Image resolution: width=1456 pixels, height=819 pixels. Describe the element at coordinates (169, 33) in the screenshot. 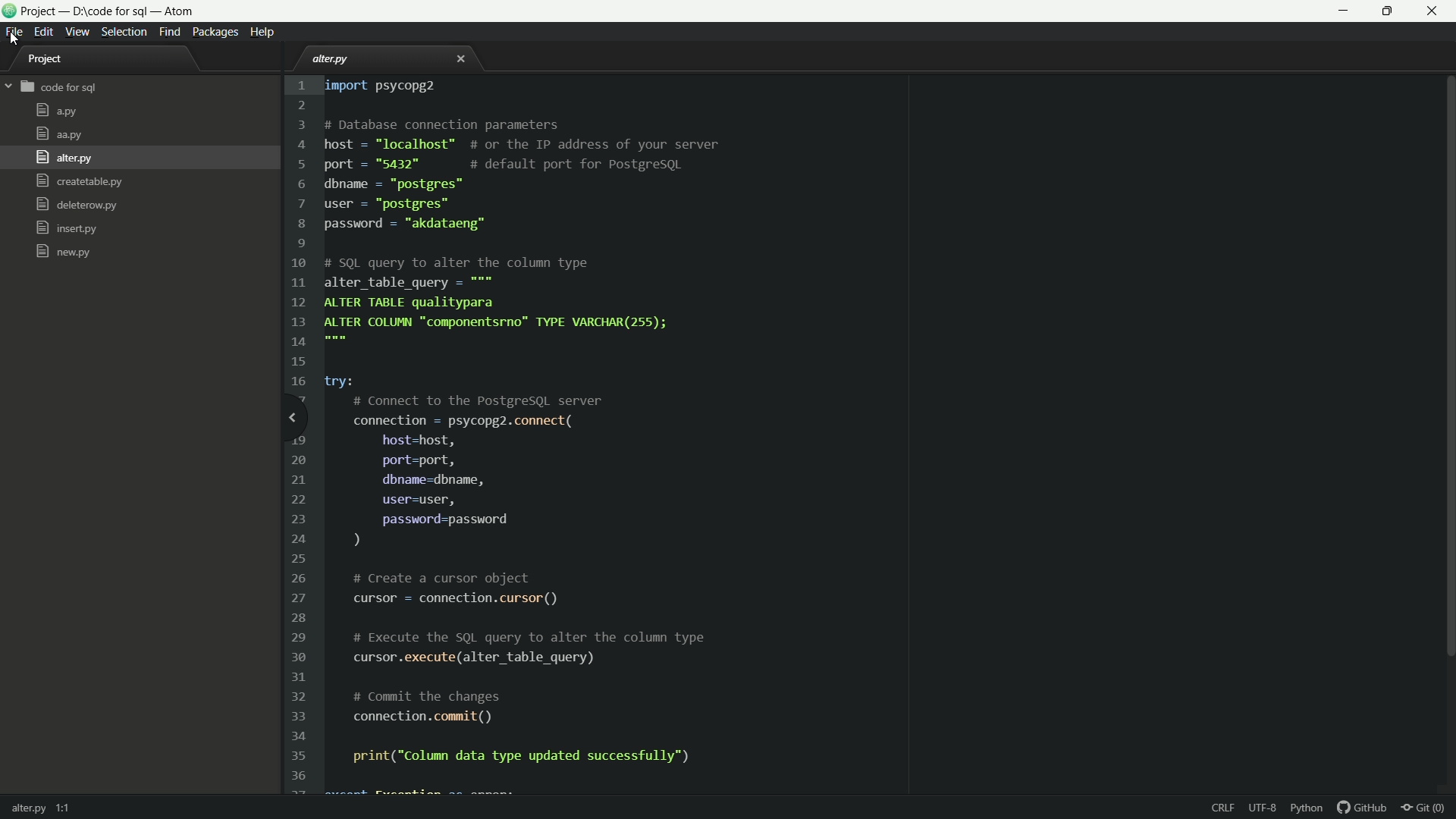

I see `find menu` at that location.